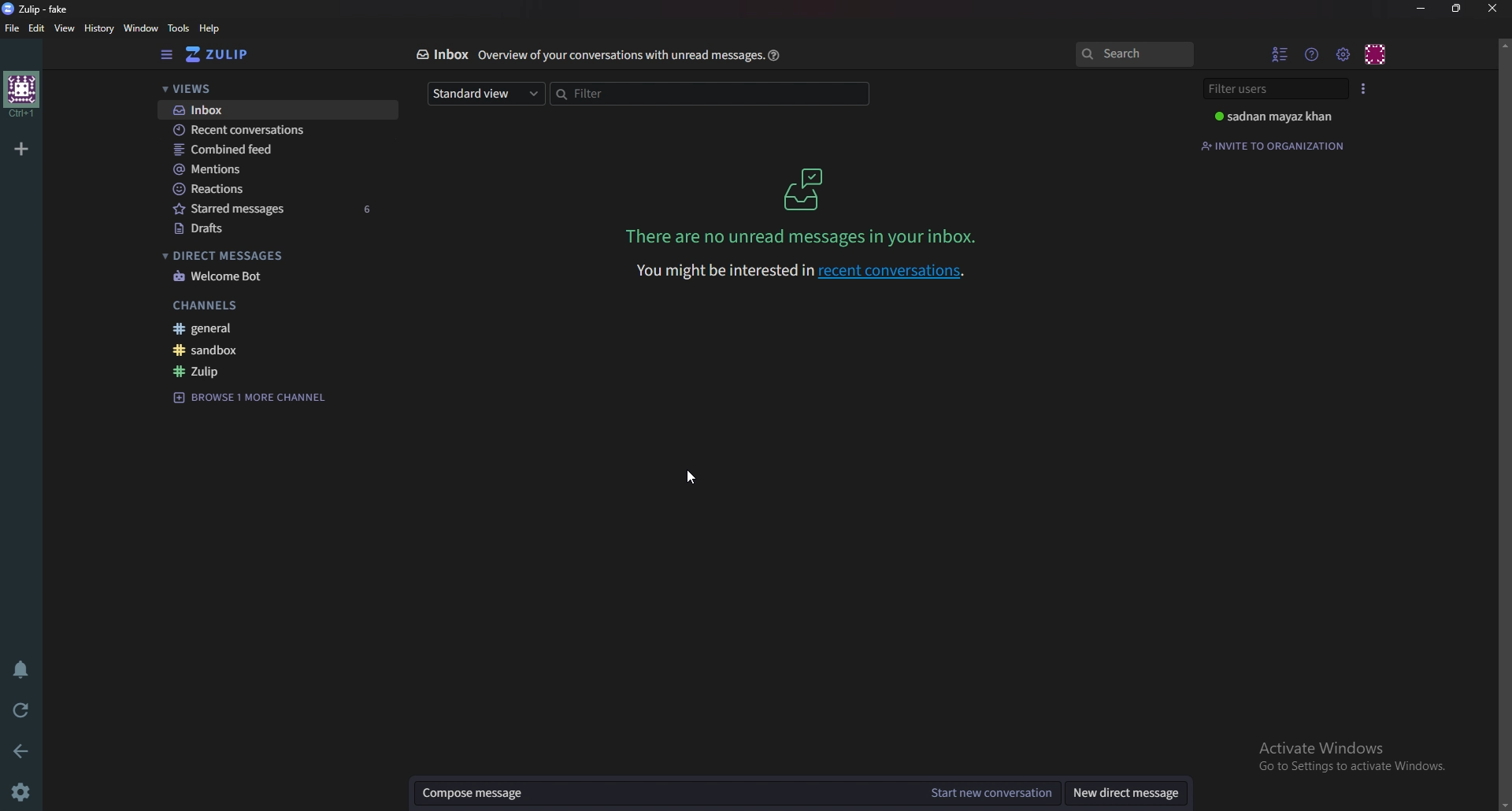 Image resolution: width=1512 pixels, height=811 pixels. I want to click on Vertical Scroll bar, so click(1503, 424).